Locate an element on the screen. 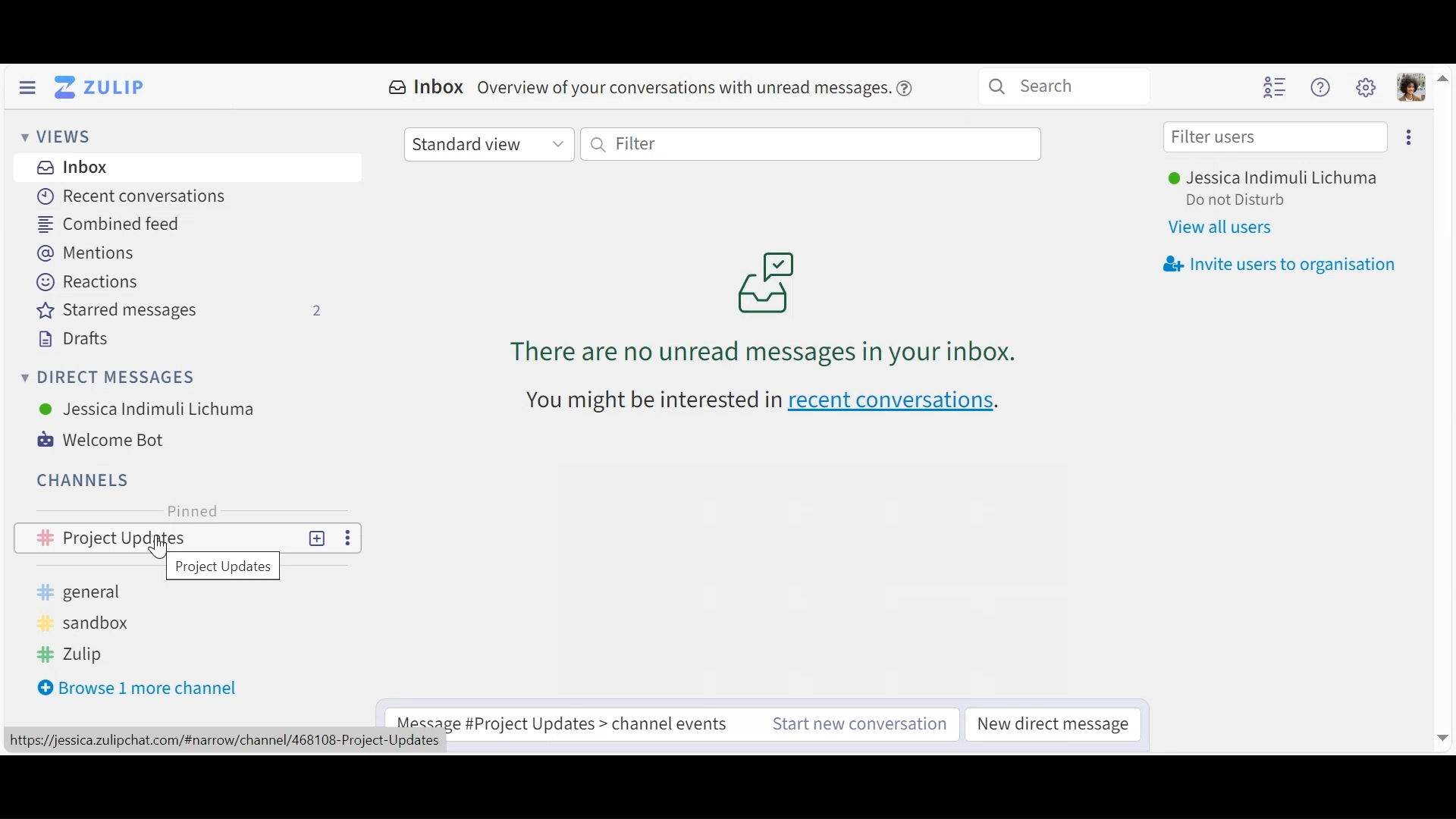 The height and width of the screenshot is (819, 1456). Filter users is located at coordinates (1276, 137).